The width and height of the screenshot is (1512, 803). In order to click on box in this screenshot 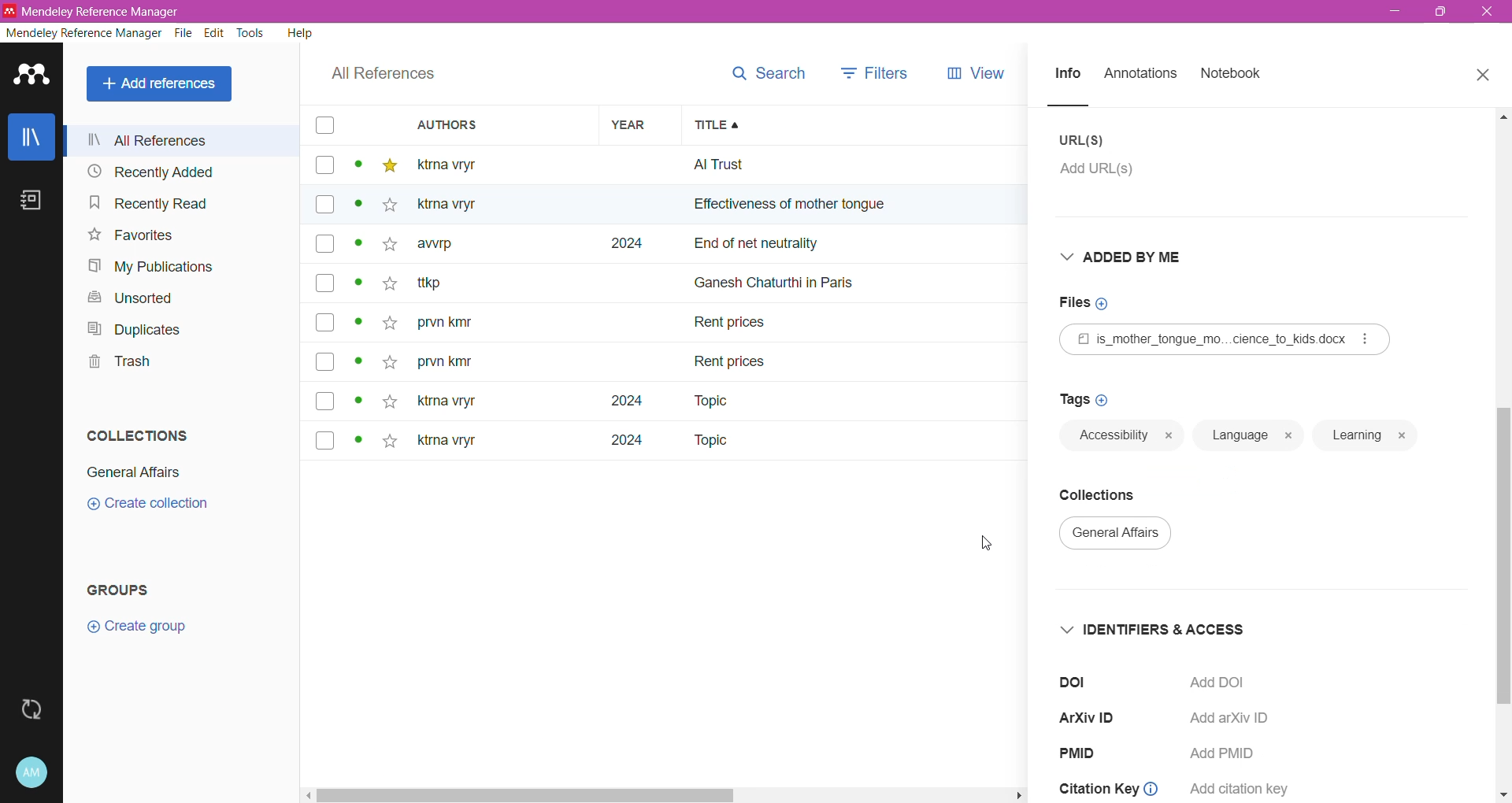, I will do `click(324, 283)`.